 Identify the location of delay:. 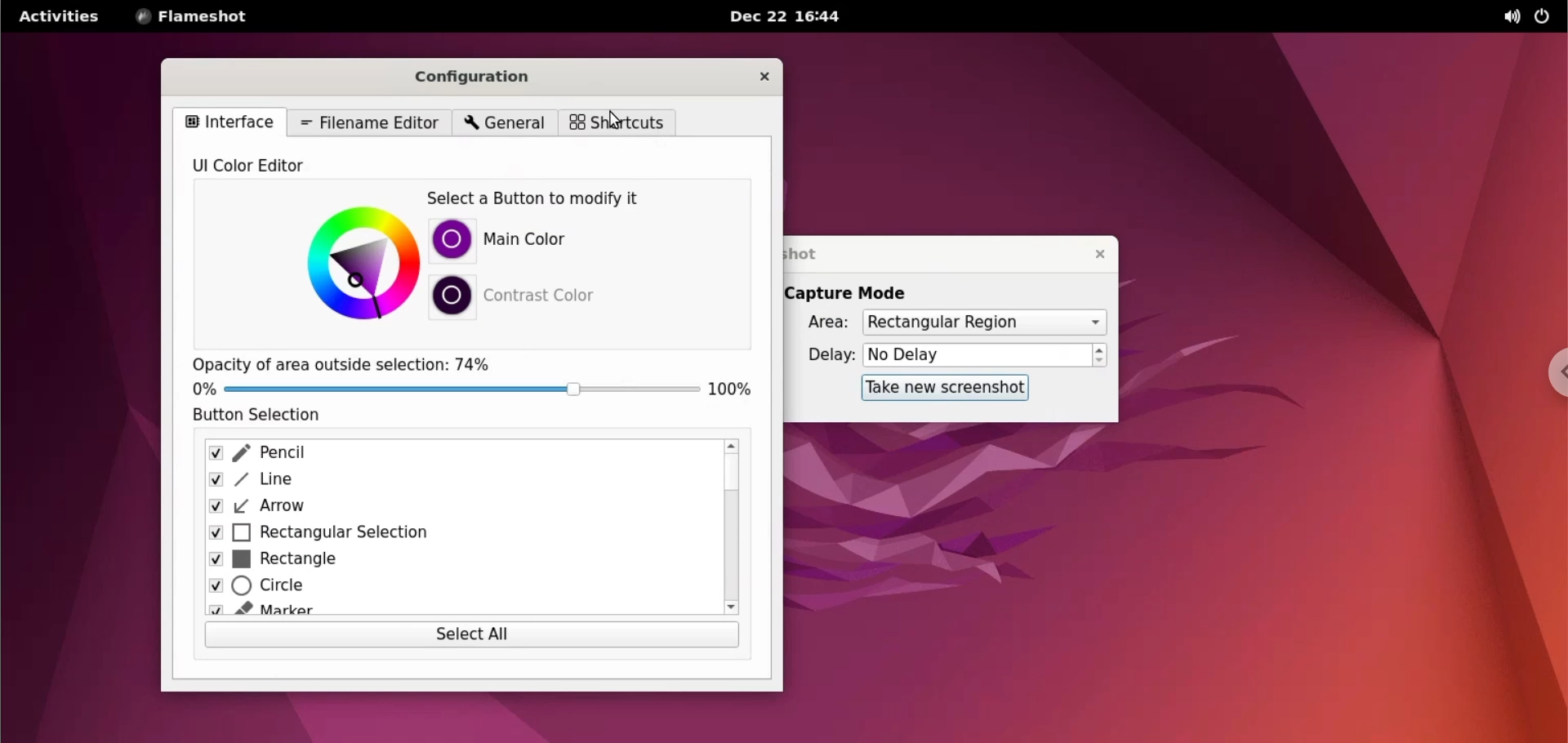
(822, 354).